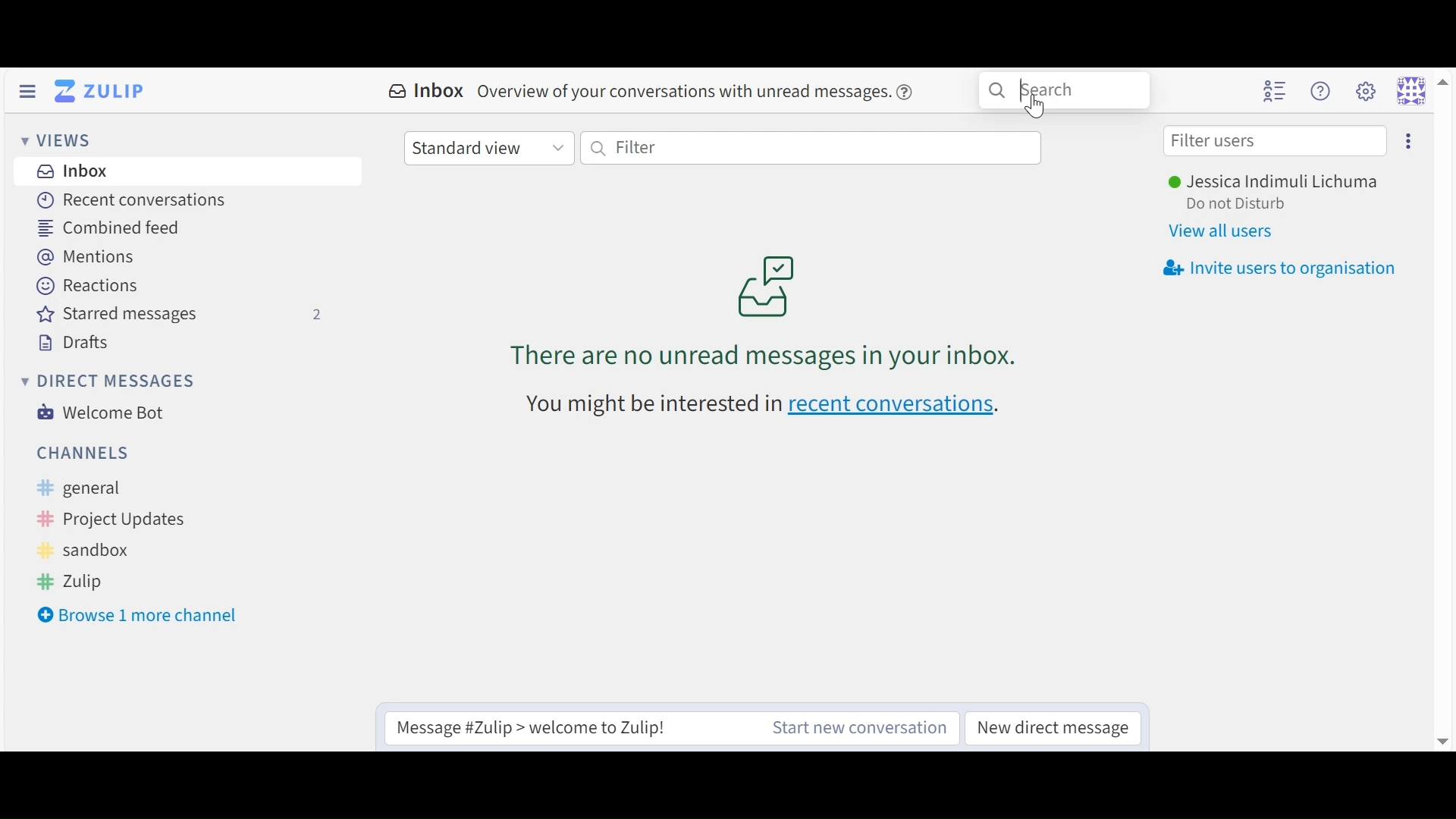 Image resolution: width=1456 pixels, height=819 pixels. Describe the element at coordinates (57, 141) in the screenshot. I see `Views` at that location.